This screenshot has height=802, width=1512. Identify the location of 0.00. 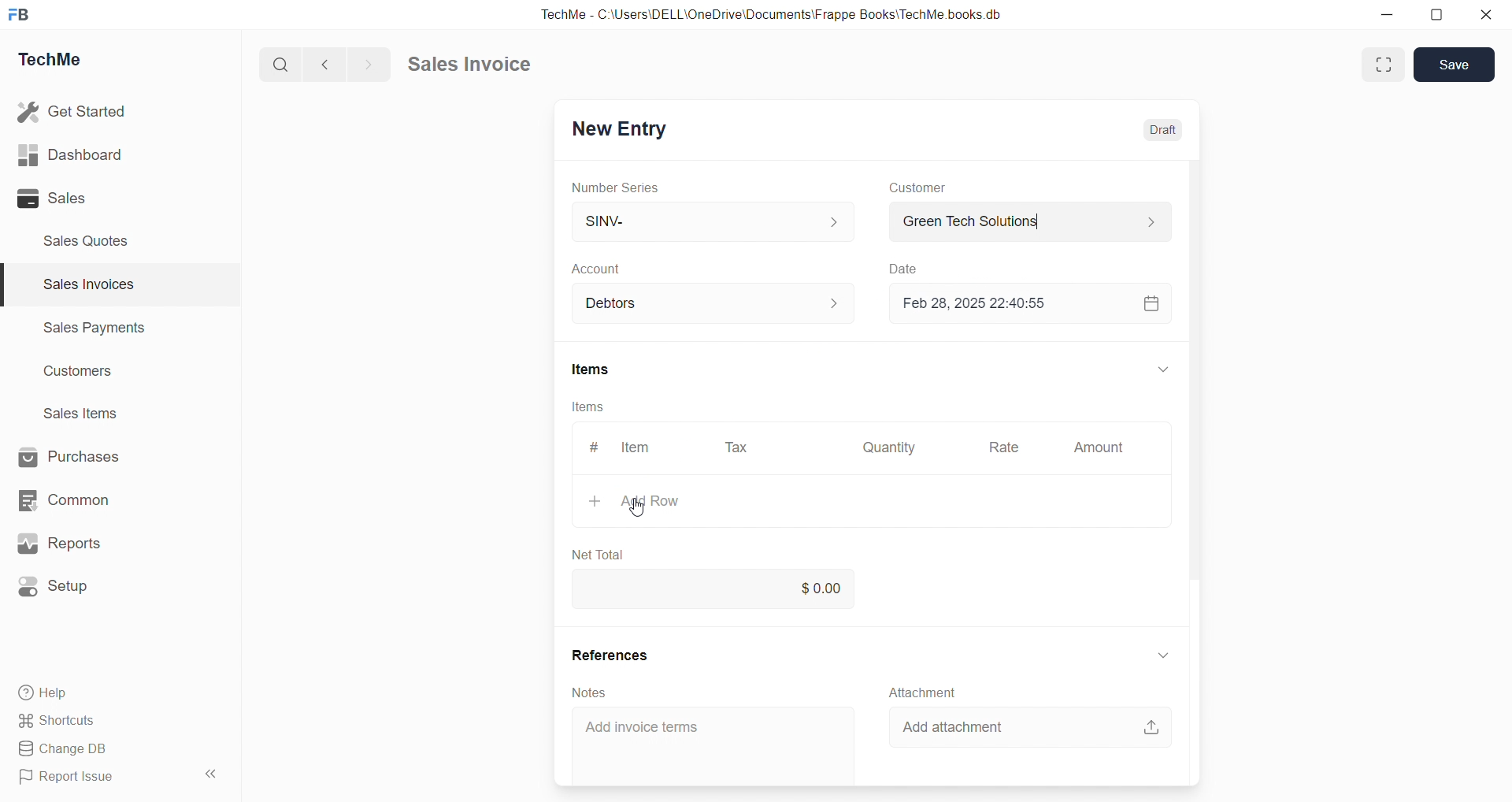
(721, 589).